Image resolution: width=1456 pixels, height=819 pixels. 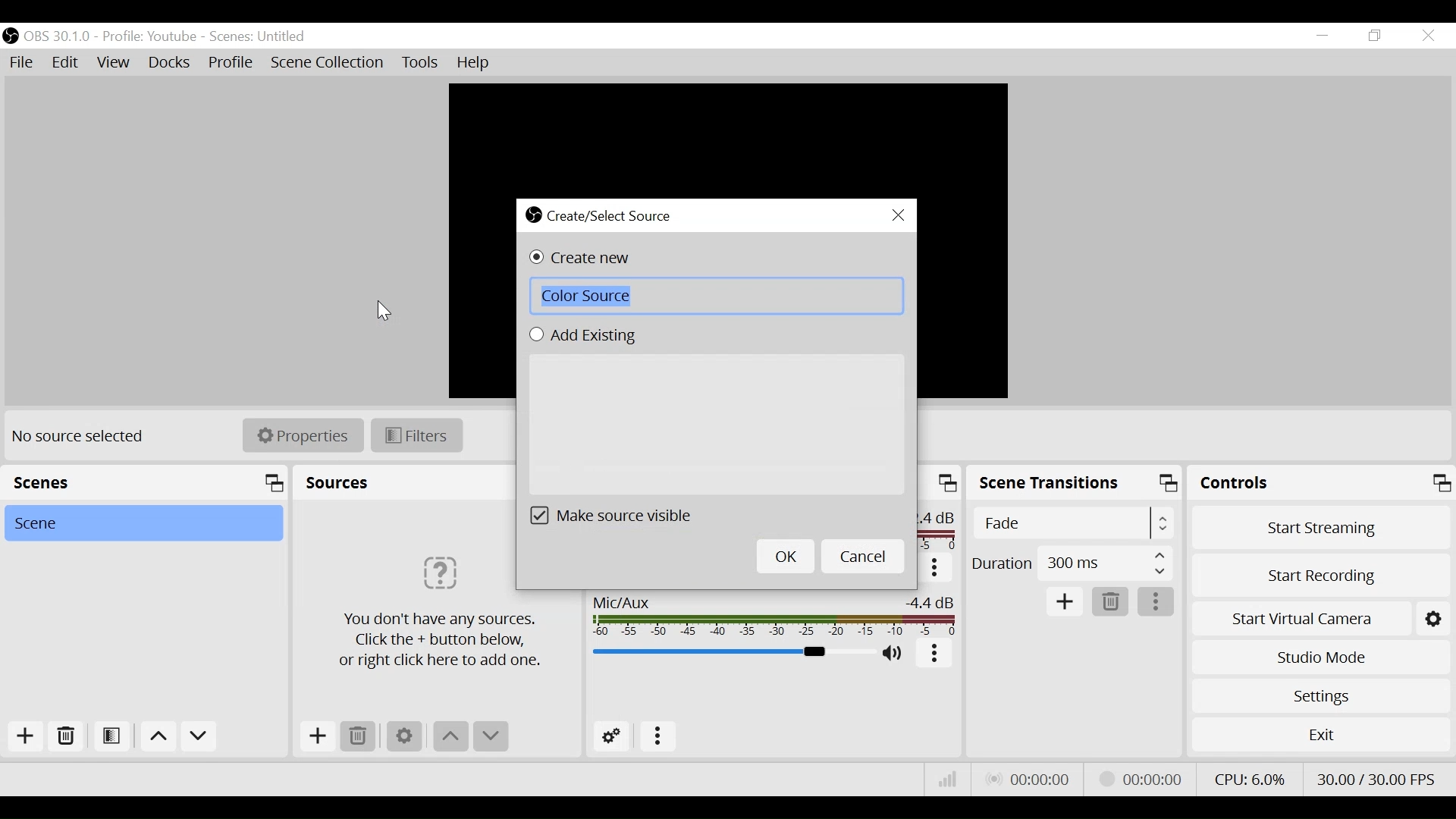 What do you see at coordinates (67, 736) in the screenshot?
I see `Delete` at bounding box center [67, 736].